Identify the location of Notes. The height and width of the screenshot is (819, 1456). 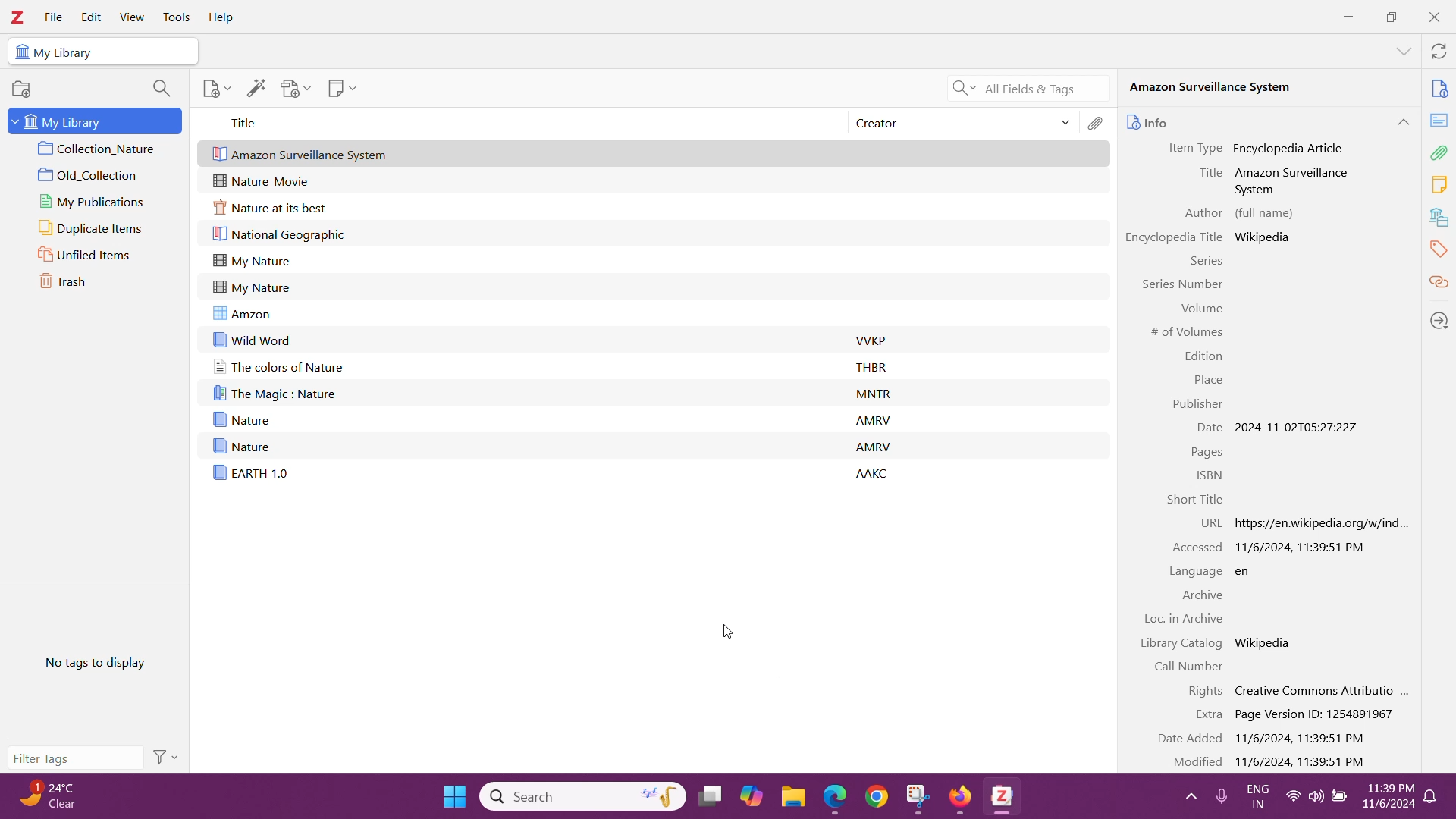
(1439, 186).